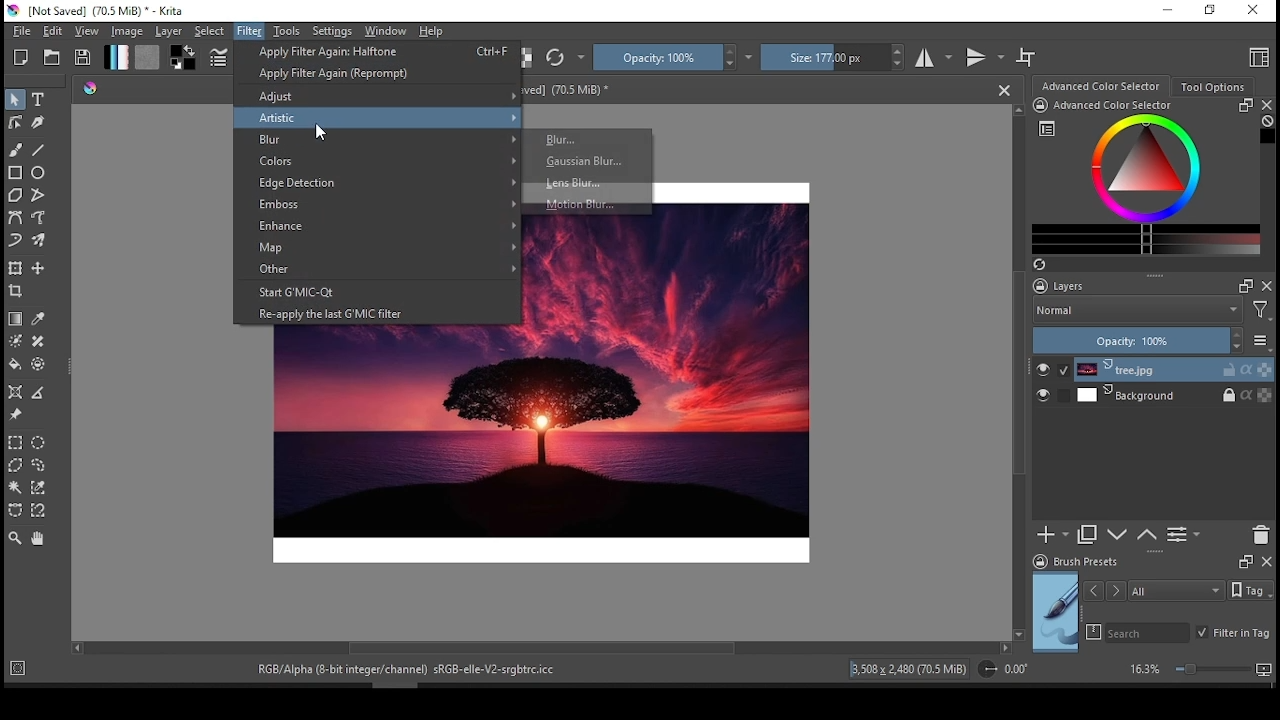 This screenshot has width=1280, height=720. What do you see at coordinates (325, 50) in the screenshot?
I see `apply filter again` at bounding box center [325, 50].